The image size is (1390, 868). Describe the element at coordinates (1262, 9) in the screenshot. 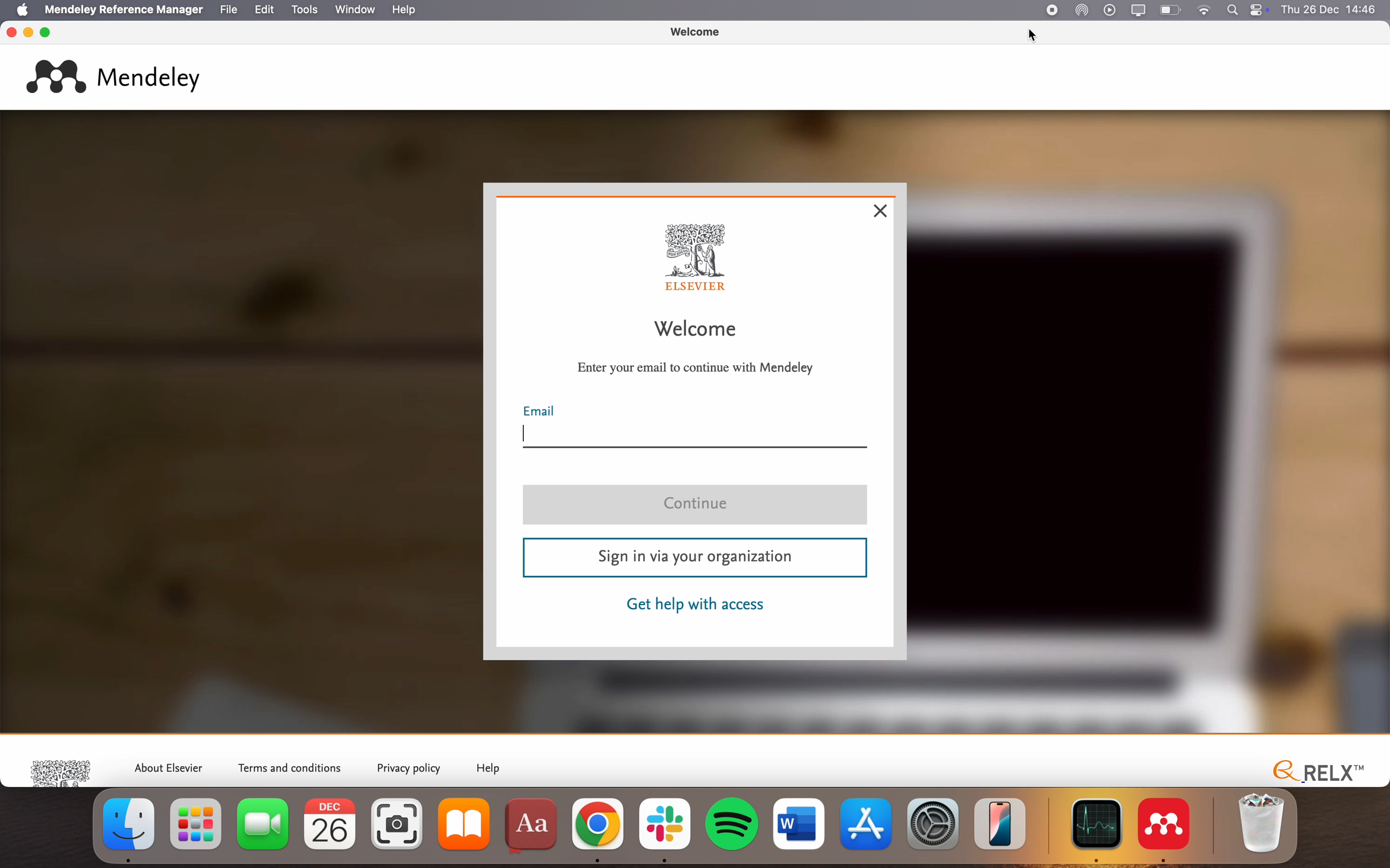

I see `controls` at that location.